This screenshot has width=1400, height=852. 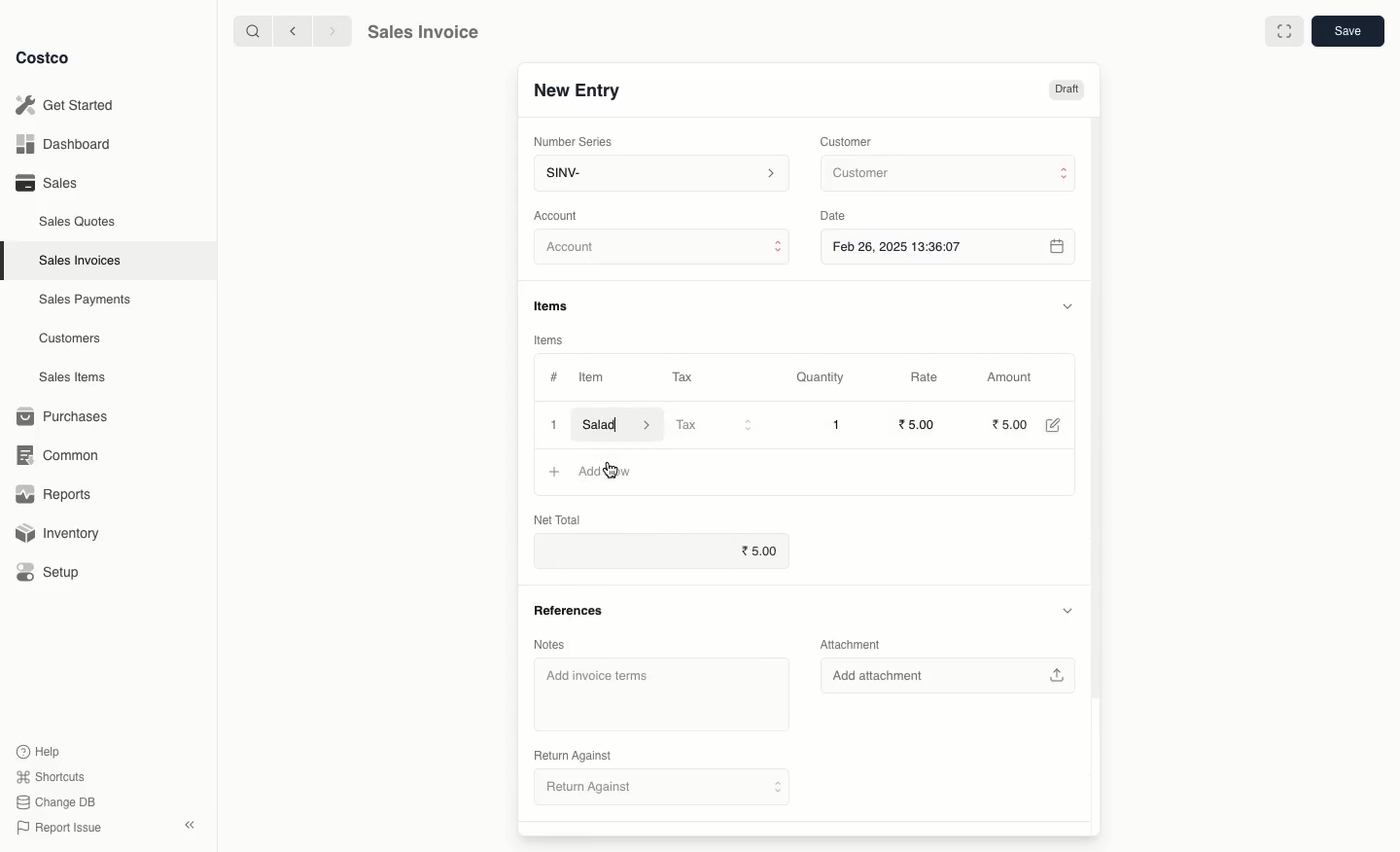 I want to click on Get Started, so click(x=64, y=104).